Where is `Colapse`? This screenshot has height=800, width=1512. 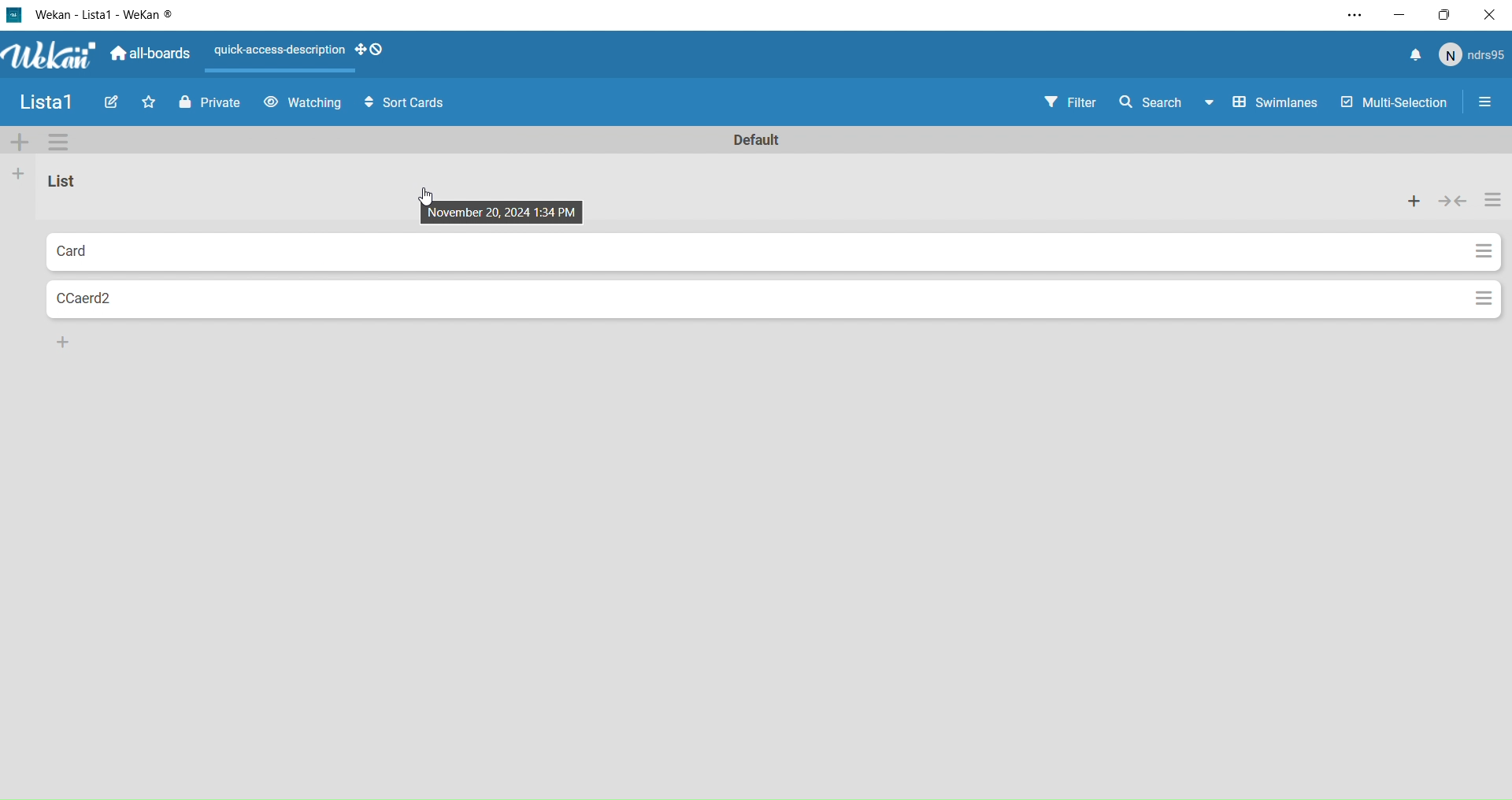
Colapse is located at coordinates (1455, 201).